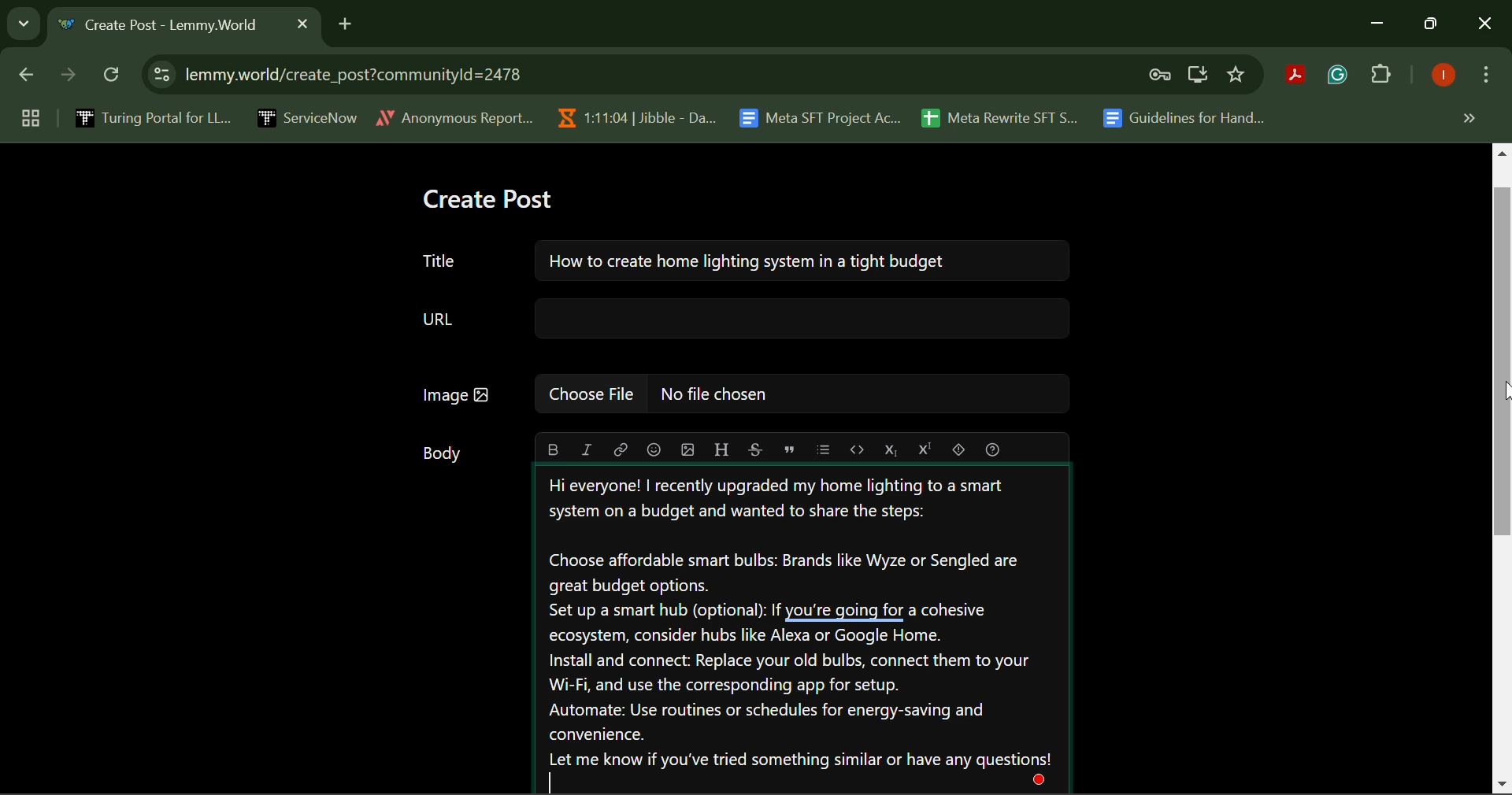 The width and height of the screenshot is (1512, 795). Describe the element at coordinates (1186, 118) in the screenshot. I see `Guidelines for Handling` at that location.